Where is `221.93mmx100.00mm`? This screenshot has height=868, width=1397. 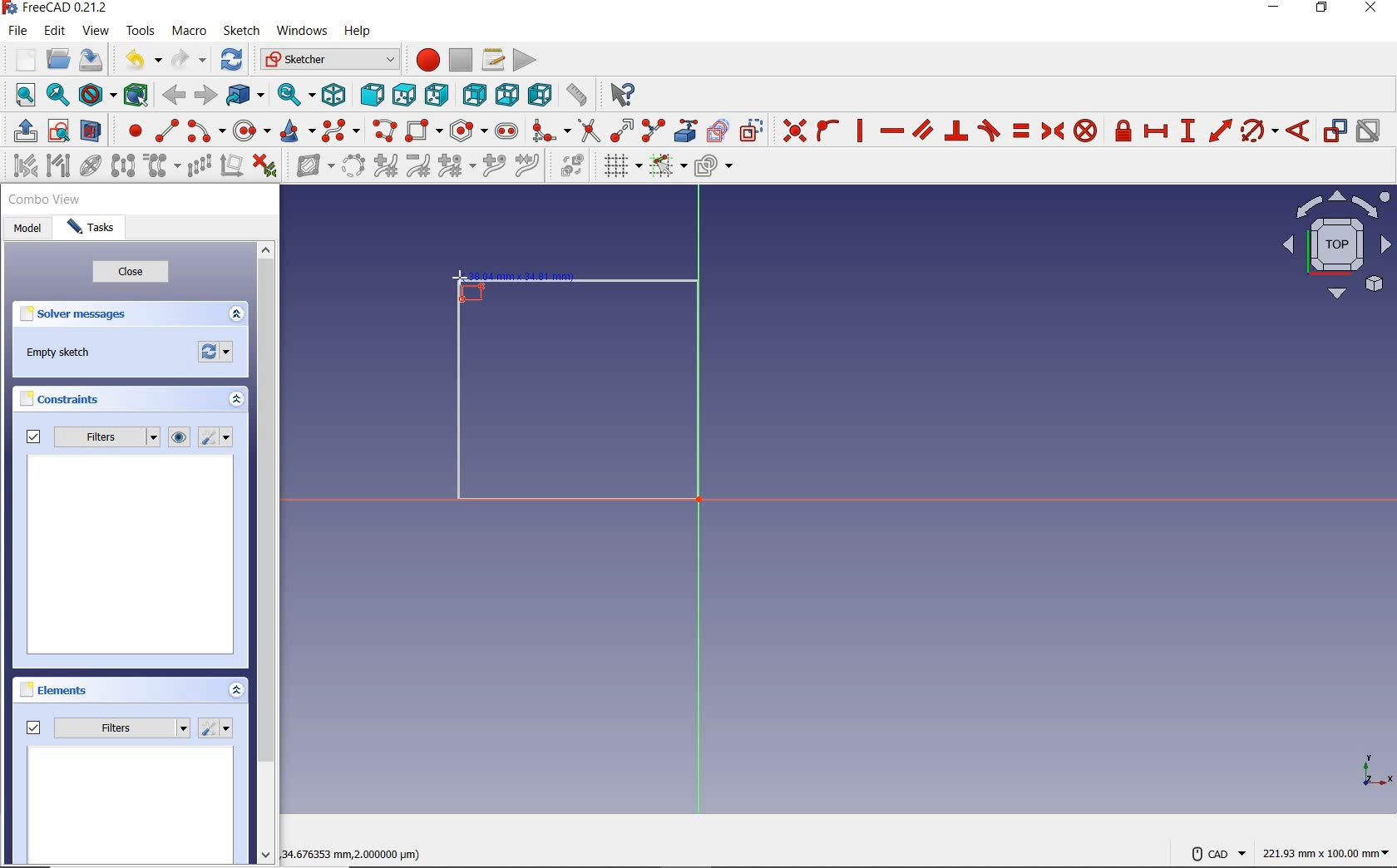 221.93mmx100.00mm is located at coordinates (1325, 853).